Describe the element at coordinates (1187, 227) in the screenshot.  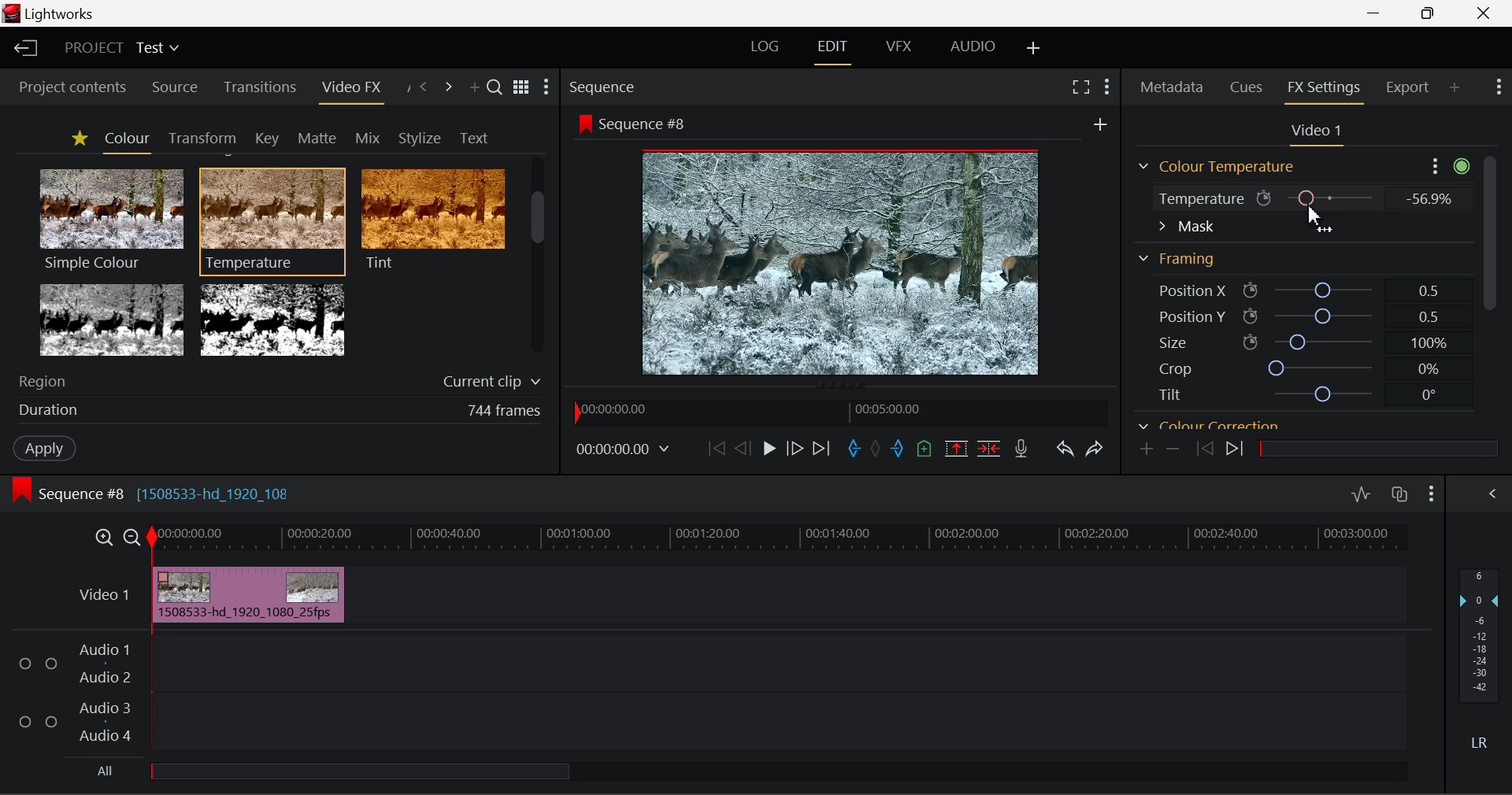
I see `Mask` at that location.